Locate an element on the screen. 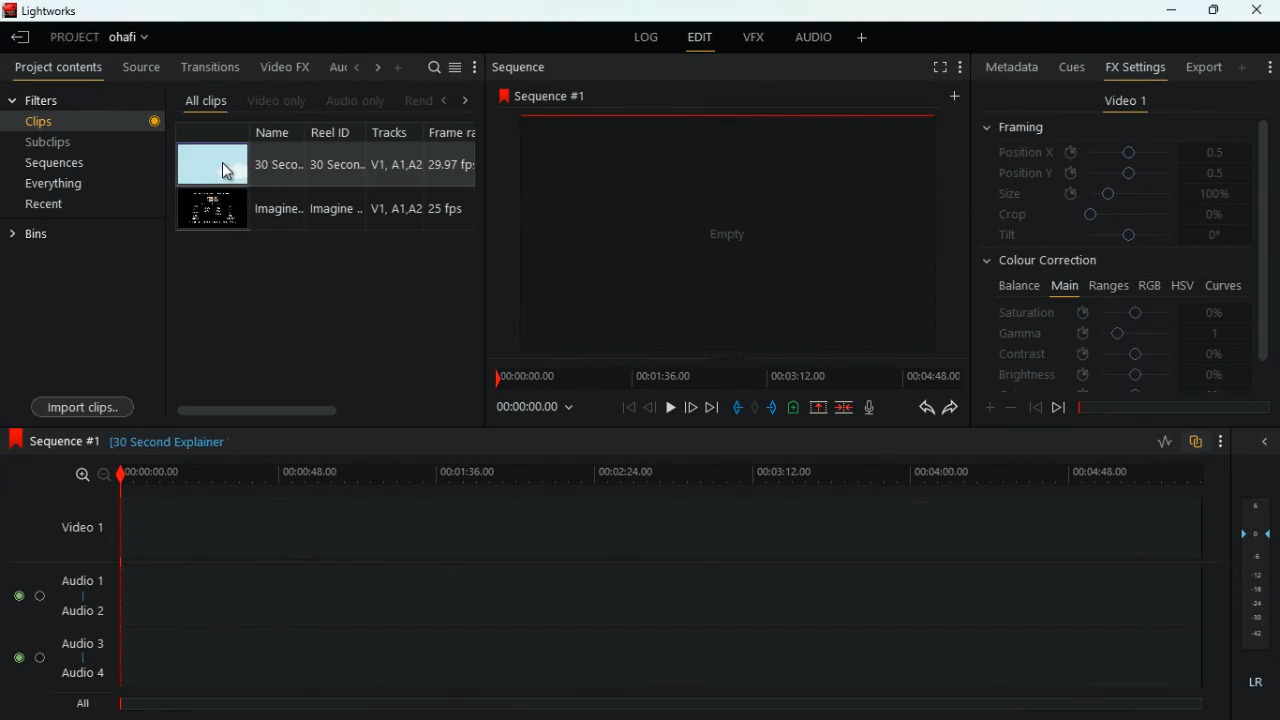 Image resolution: width=1280 pixels, height=720 pixels. audio 3 is located at coordinates (77, 642).